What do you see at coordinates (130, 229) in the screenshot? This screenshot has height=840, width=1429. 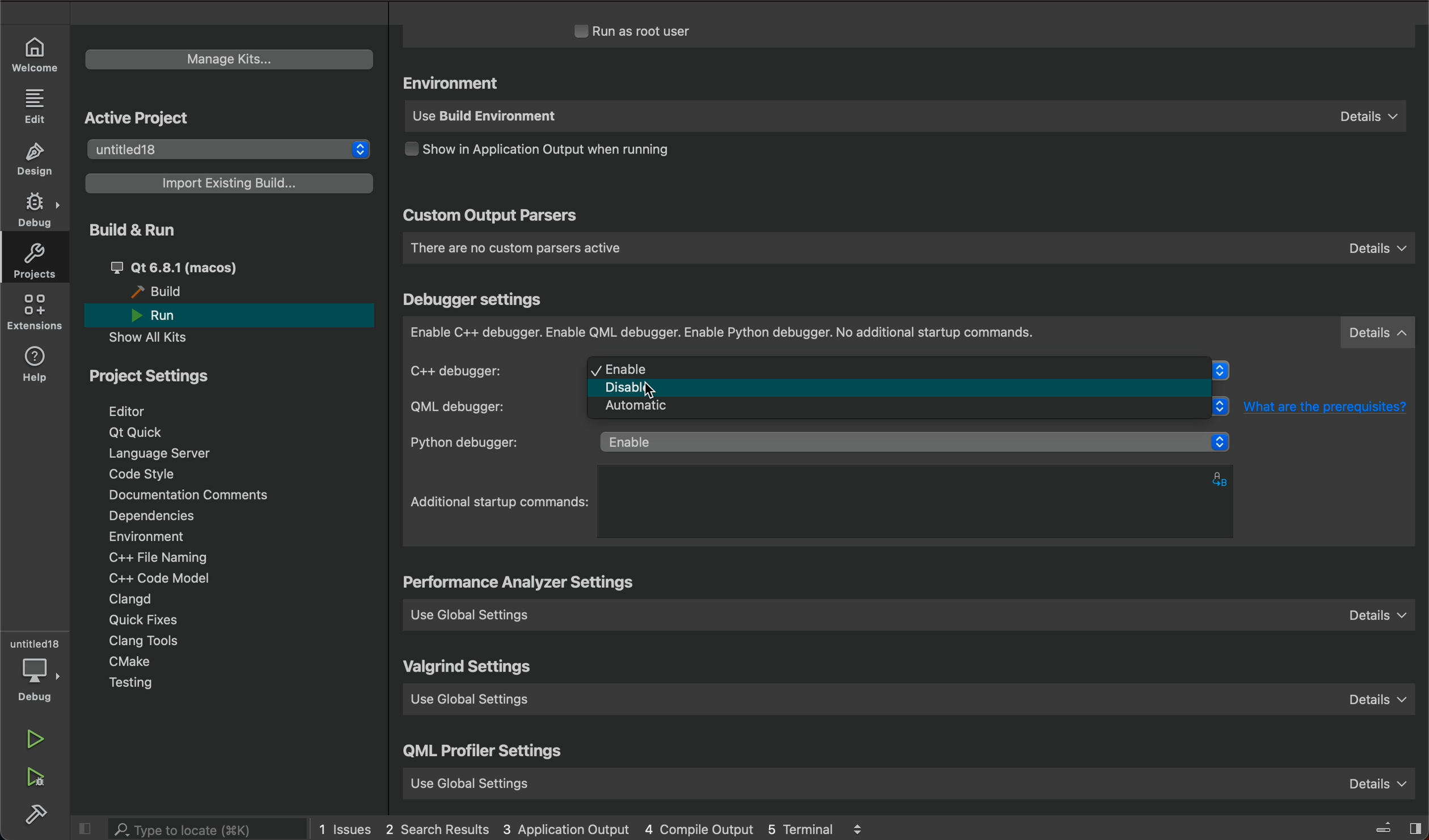 I see `build and run` at bounding box center [130, 229].